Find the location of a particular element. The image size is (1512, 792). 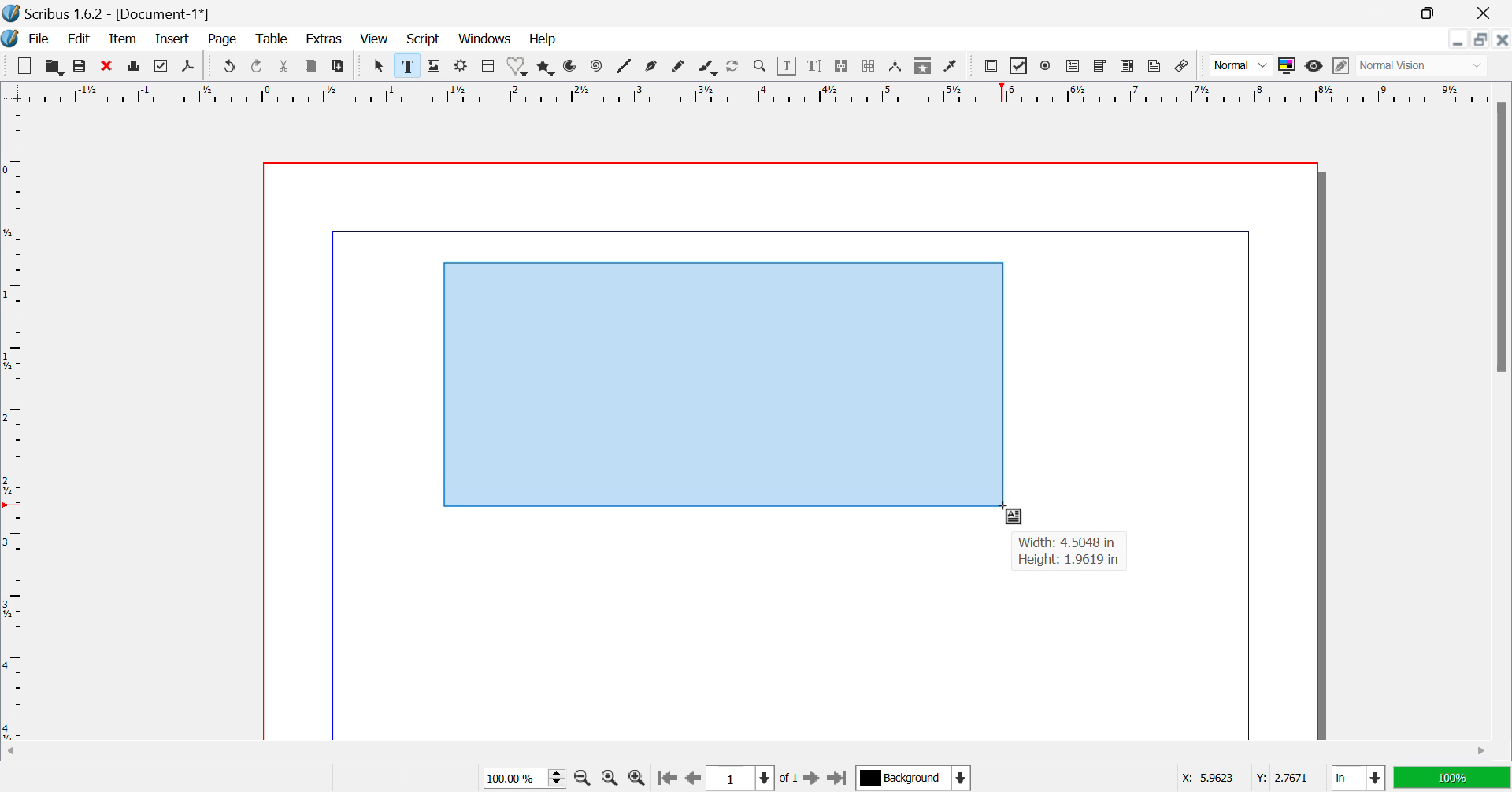

Extras is located at coordinates (323, 39).